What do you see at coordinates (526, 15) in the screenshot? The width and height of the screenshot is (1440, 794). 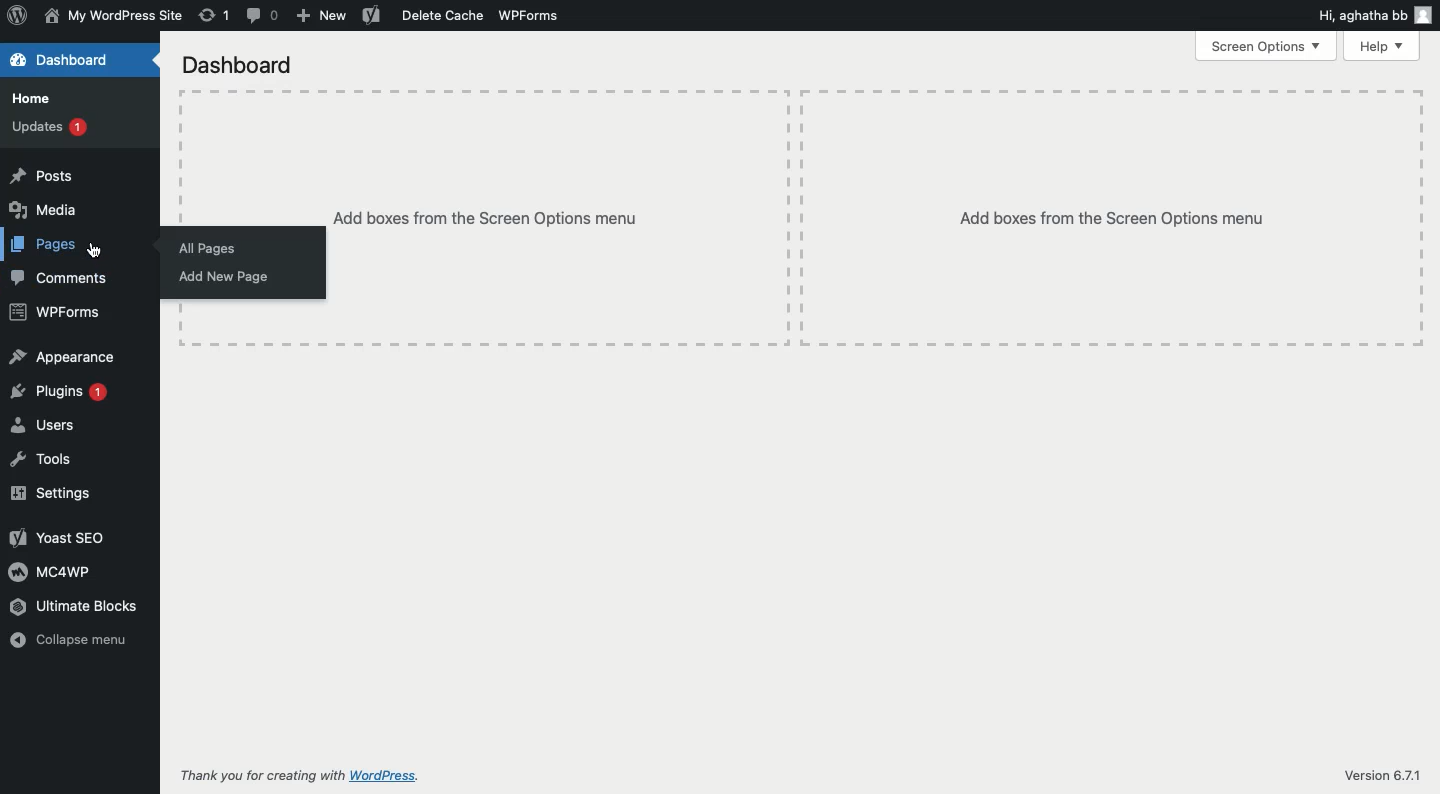 I see `WPForms` at bounding box center [526, 15].